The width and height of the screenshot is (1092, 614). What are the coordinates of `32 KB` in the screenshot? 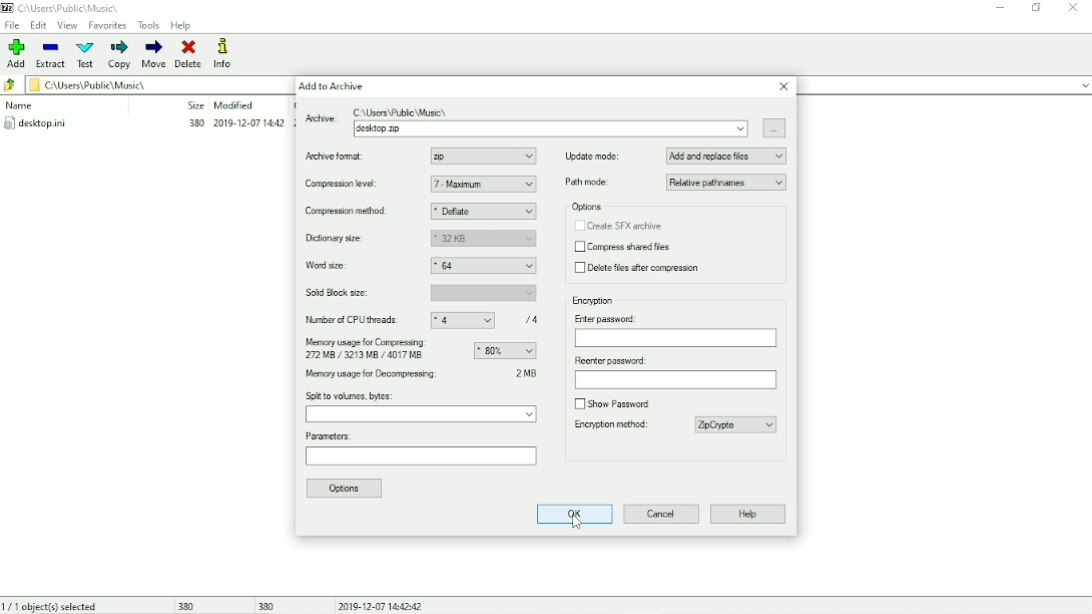 It's located at (483, 239).